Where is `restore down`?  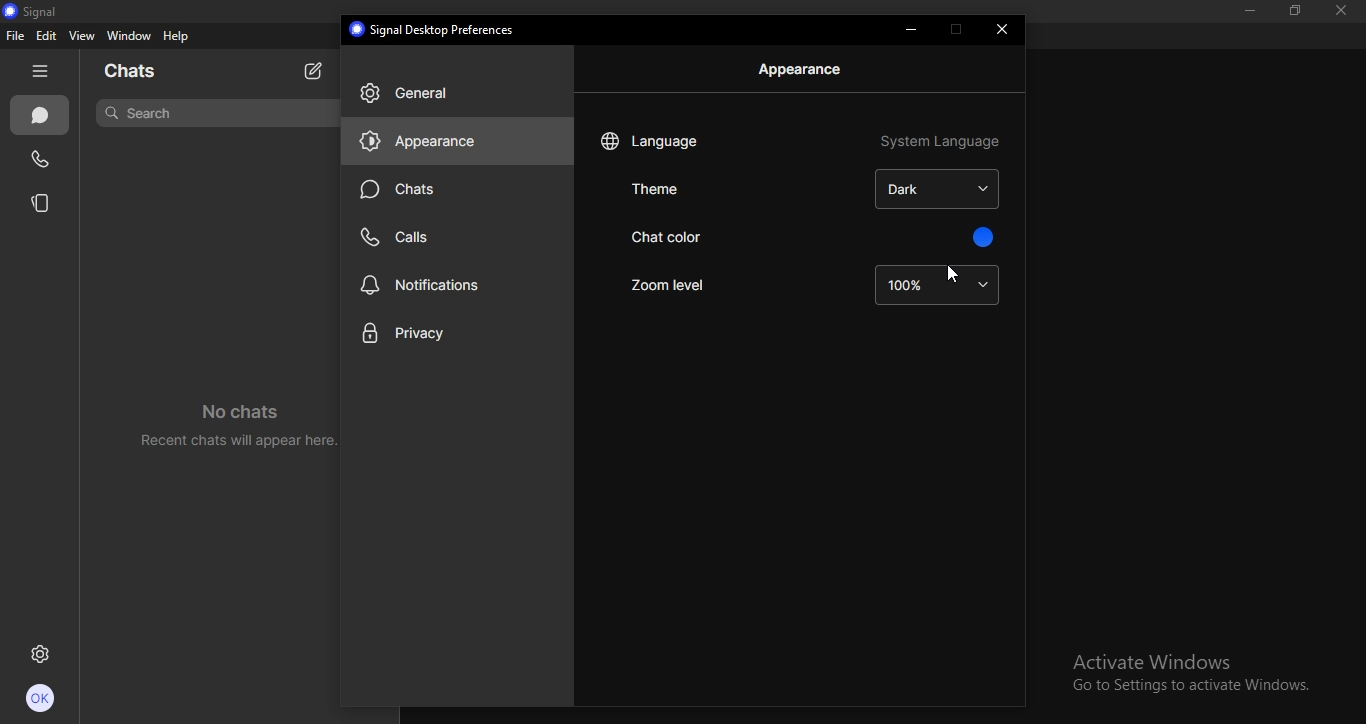
restore down is located at coordinates (1290, 11).